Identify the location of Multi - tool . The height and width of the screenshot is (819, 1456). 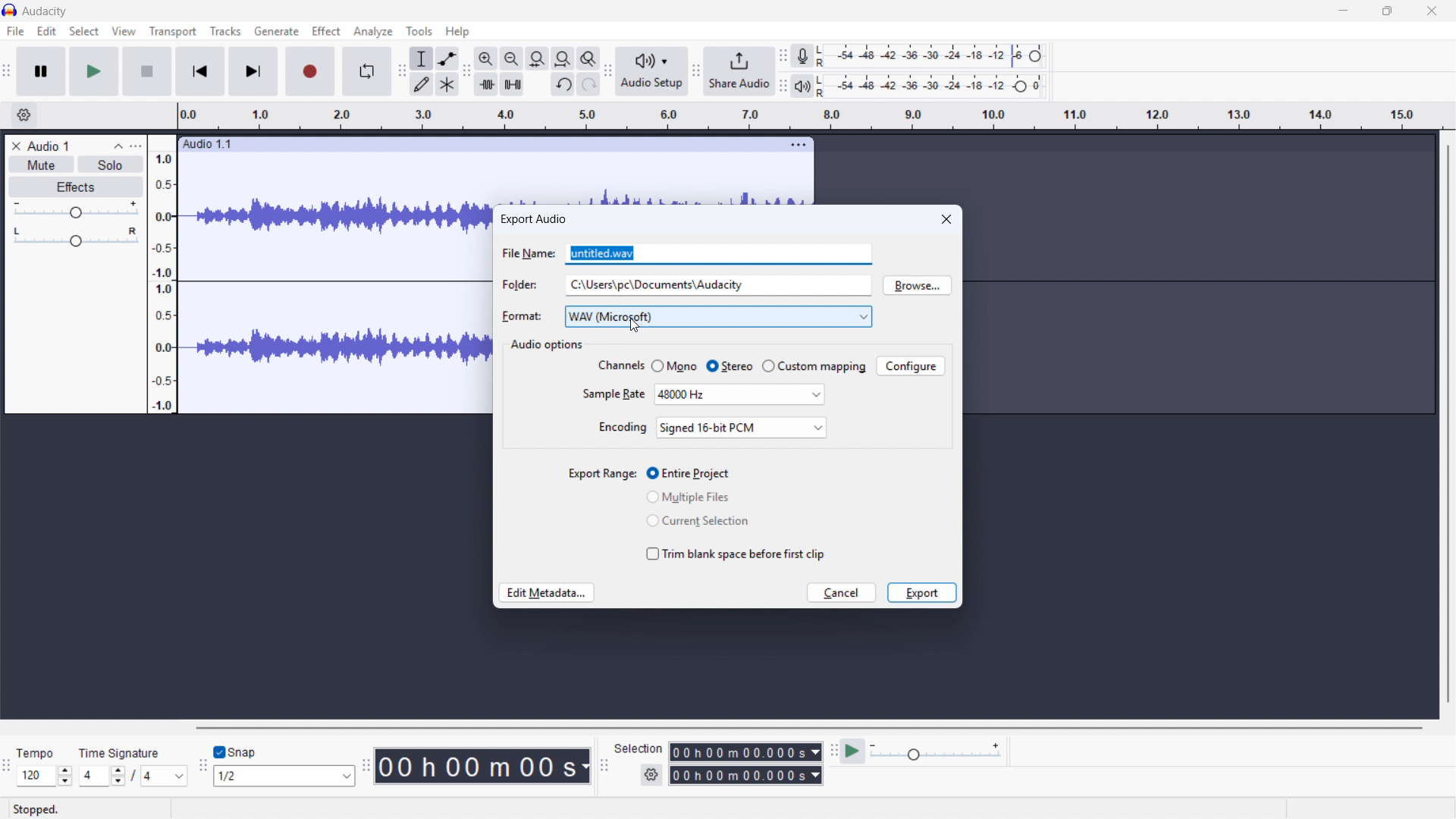
(447, 84).